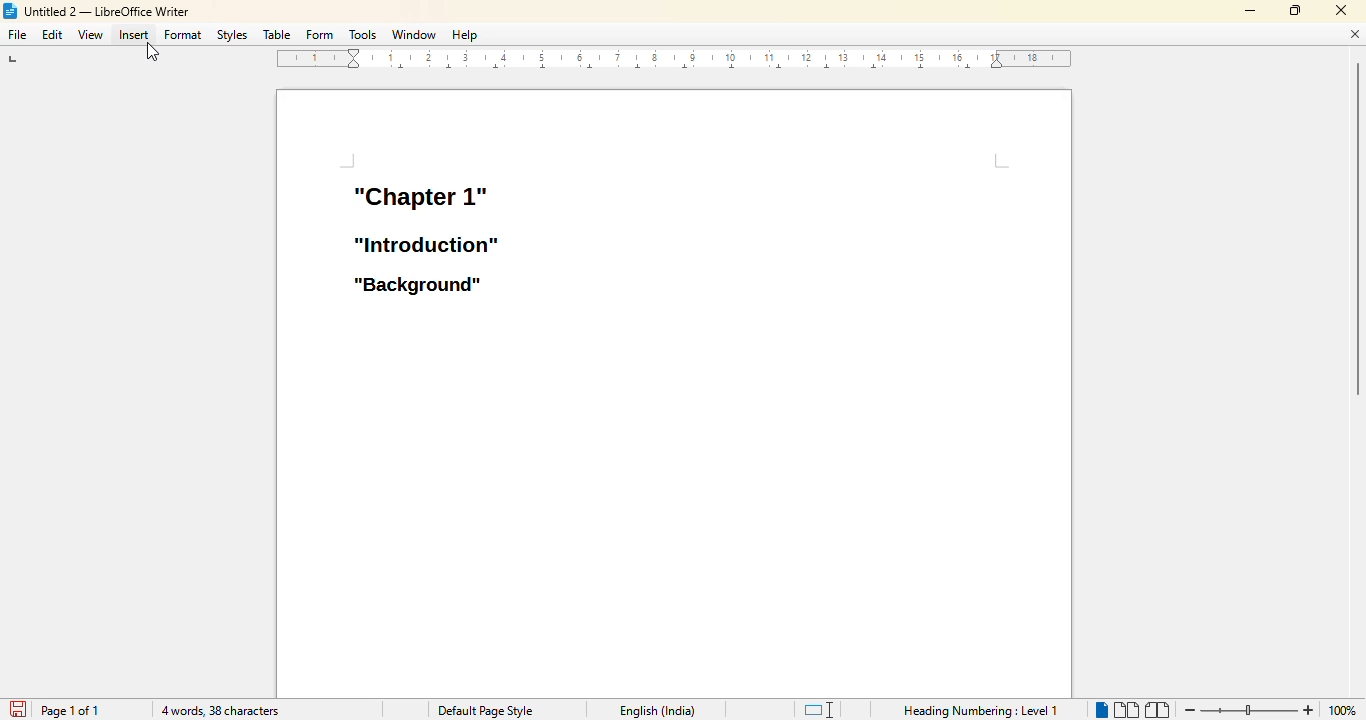  I want to click on page 1 of 1, so click(71, 710).